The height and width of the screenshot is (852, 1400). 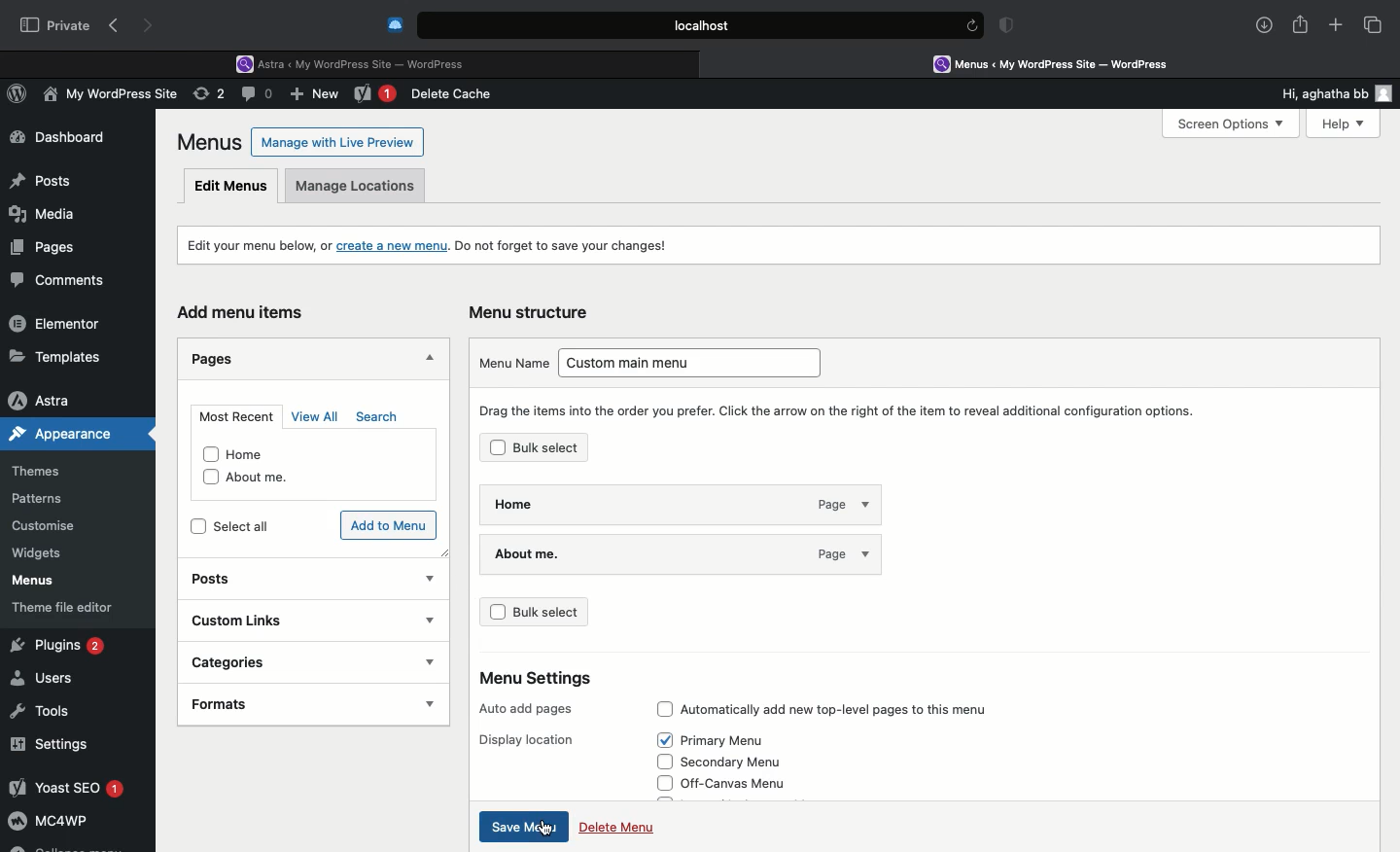 What do you see at coordinates (269, 703) in the screenshot?
I see `Formats` at bounding box center [269, 703].